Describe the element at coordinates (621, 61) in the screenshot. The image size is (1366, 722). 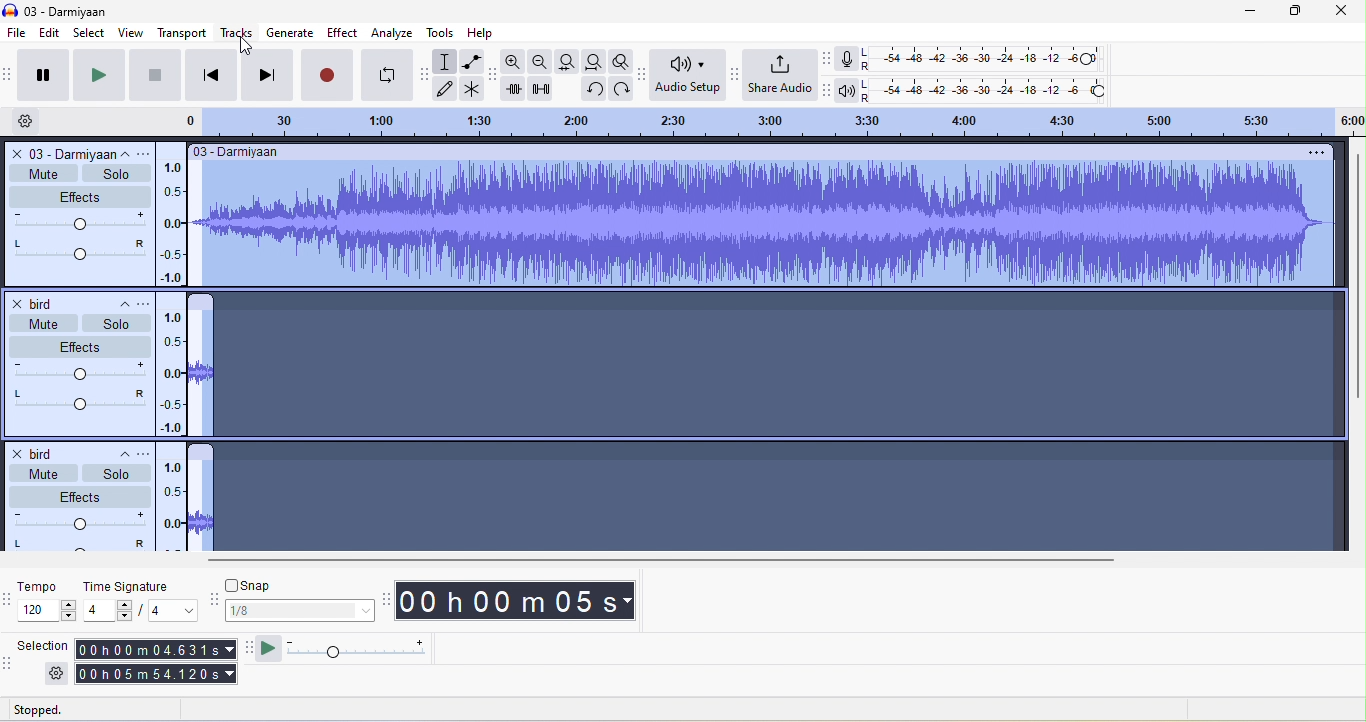
I see `zoom toggle` at that location.